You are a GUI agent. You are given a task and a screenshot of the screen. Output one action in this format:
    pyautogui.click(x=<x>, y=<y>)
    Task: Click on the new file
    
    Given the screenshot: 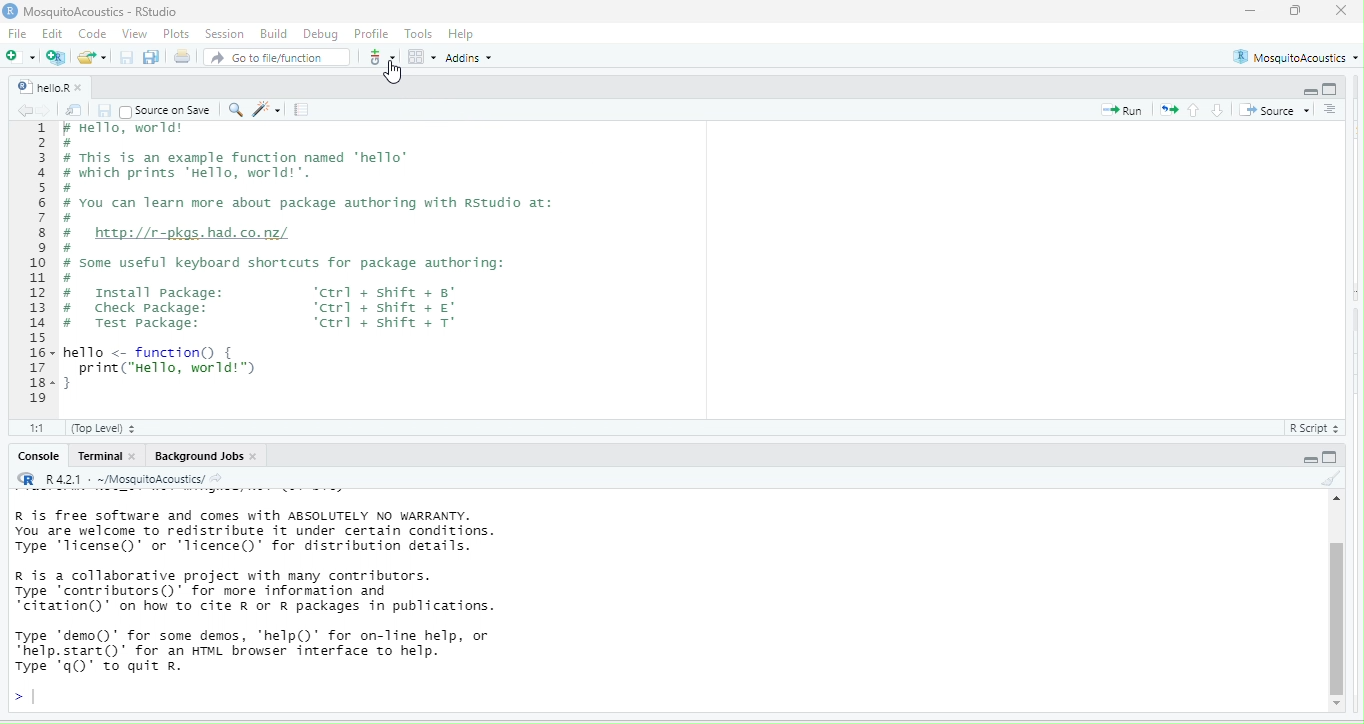 What is the action you would take?
    pyautogui.click(x=21, y=56)
    